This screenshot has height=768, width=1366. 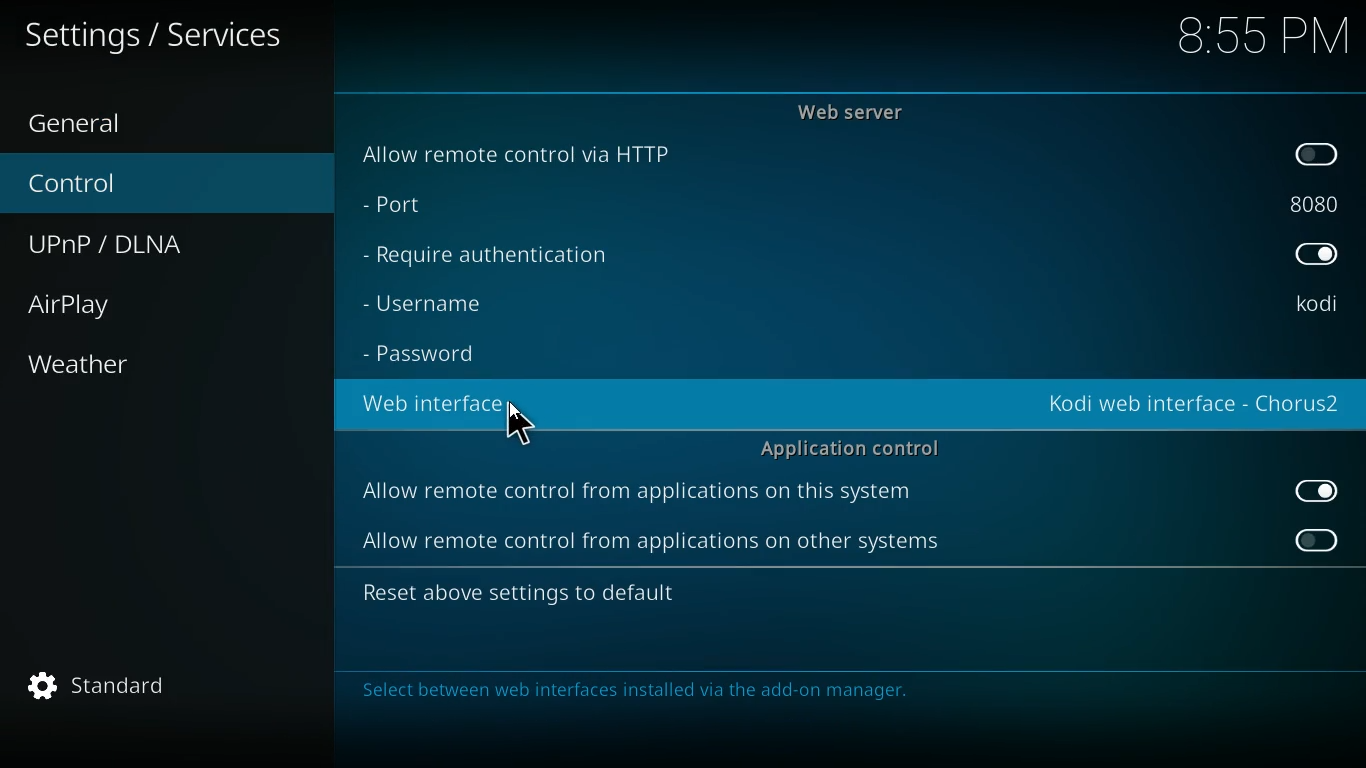 I want to click on web interface, so click(x=1194, y=407).